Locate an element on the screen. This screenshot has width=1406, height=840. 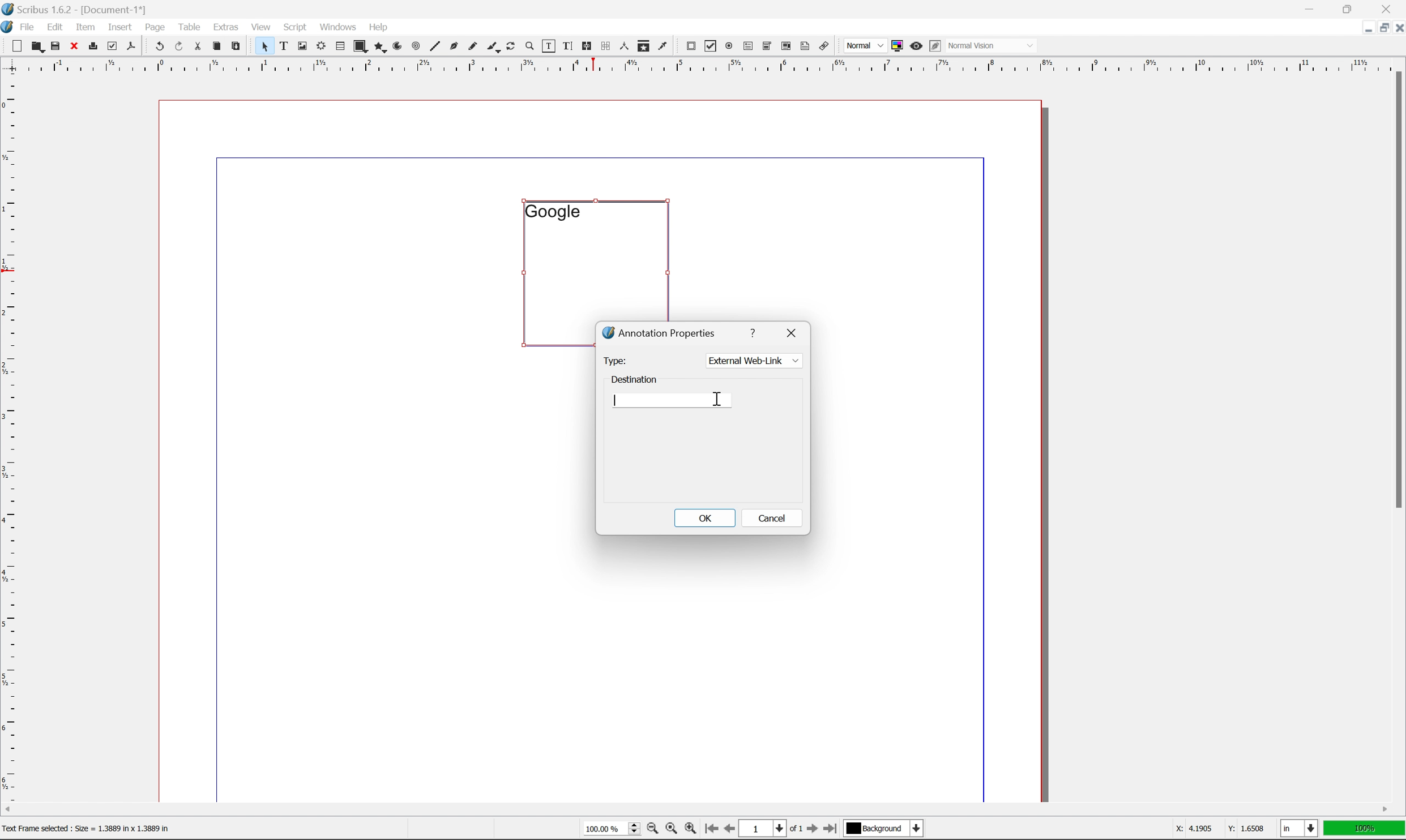
edit in preview mode is located at coordinates (935, 46).